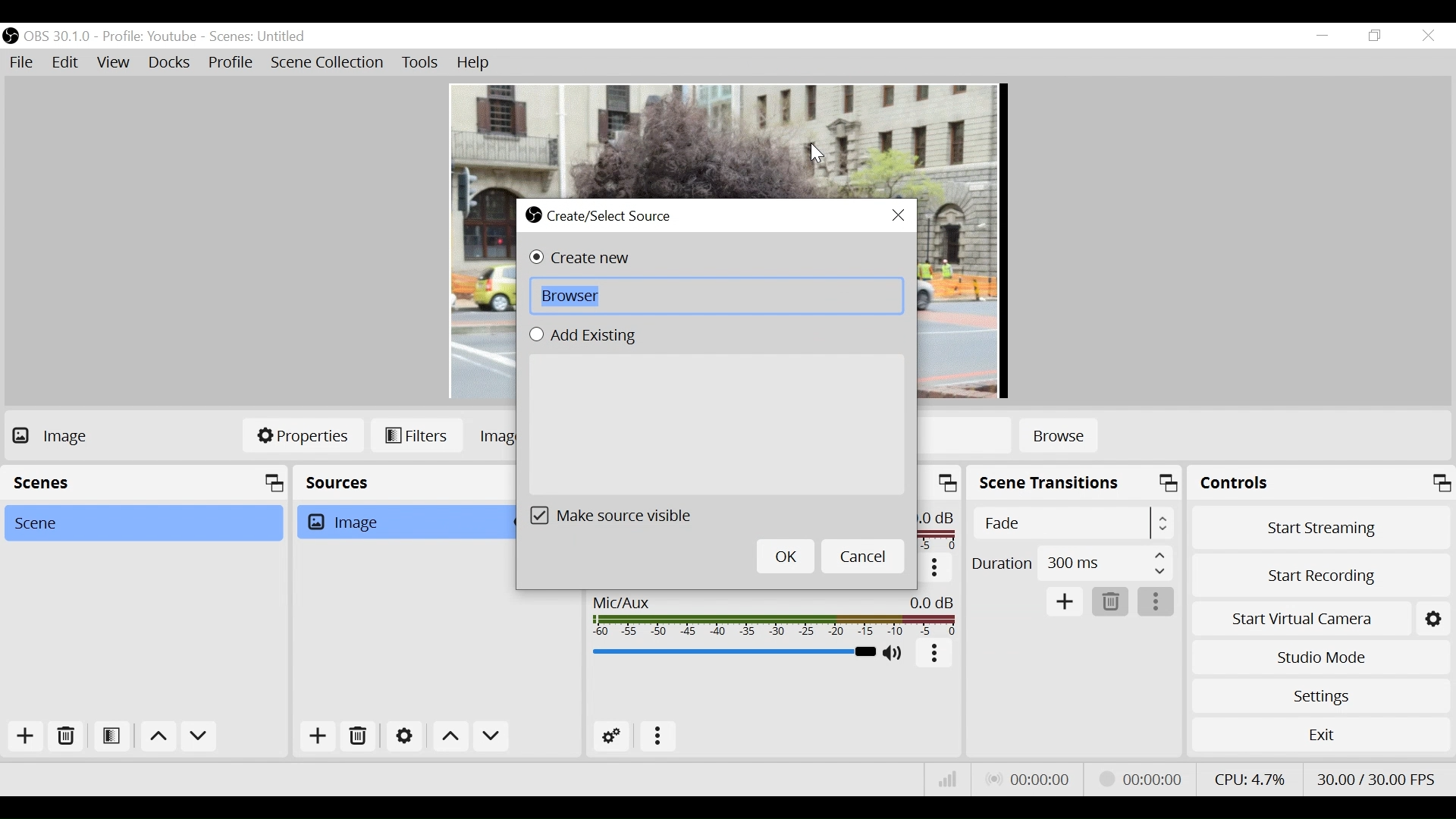  I want to click on OBS Studio Desktop Icon, so click(12, 36).